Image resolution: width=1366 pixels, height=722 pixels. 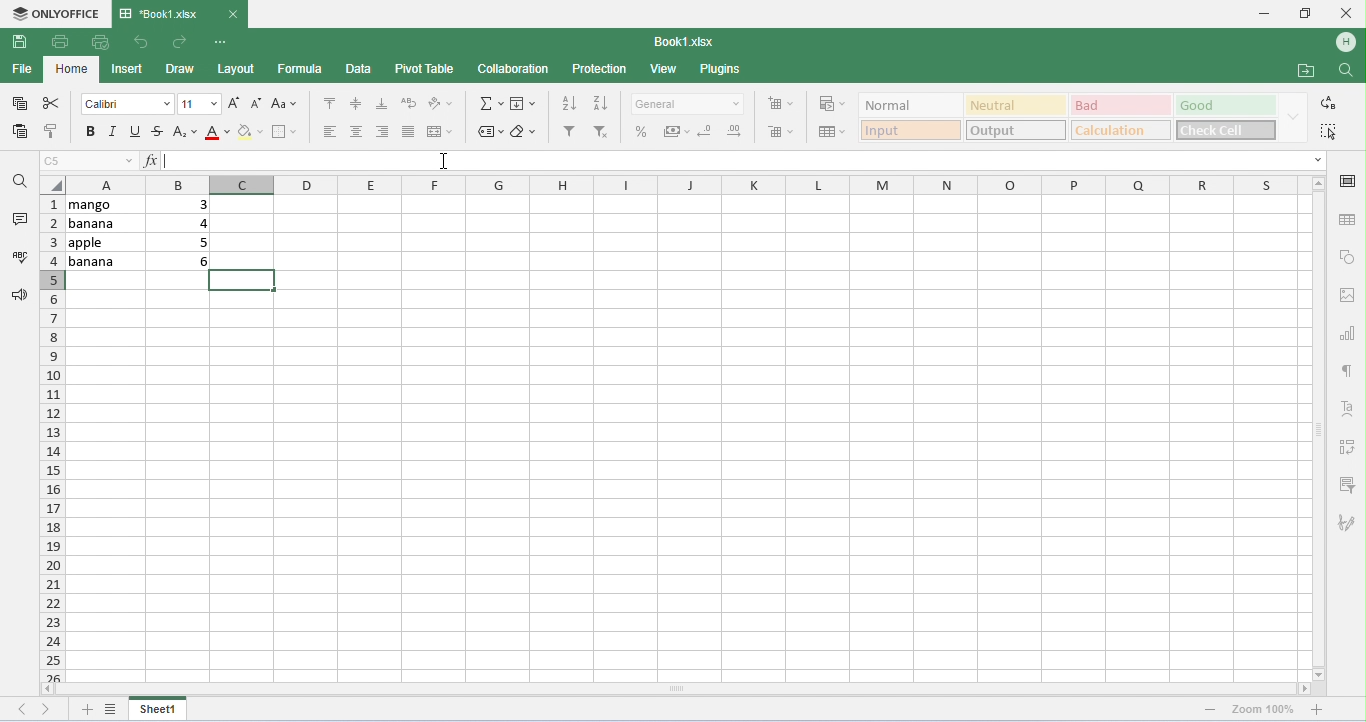 What do you see at coordinates (832, 133) in the screenshot?
I see `format as table template` at bounding box center [832, 133].